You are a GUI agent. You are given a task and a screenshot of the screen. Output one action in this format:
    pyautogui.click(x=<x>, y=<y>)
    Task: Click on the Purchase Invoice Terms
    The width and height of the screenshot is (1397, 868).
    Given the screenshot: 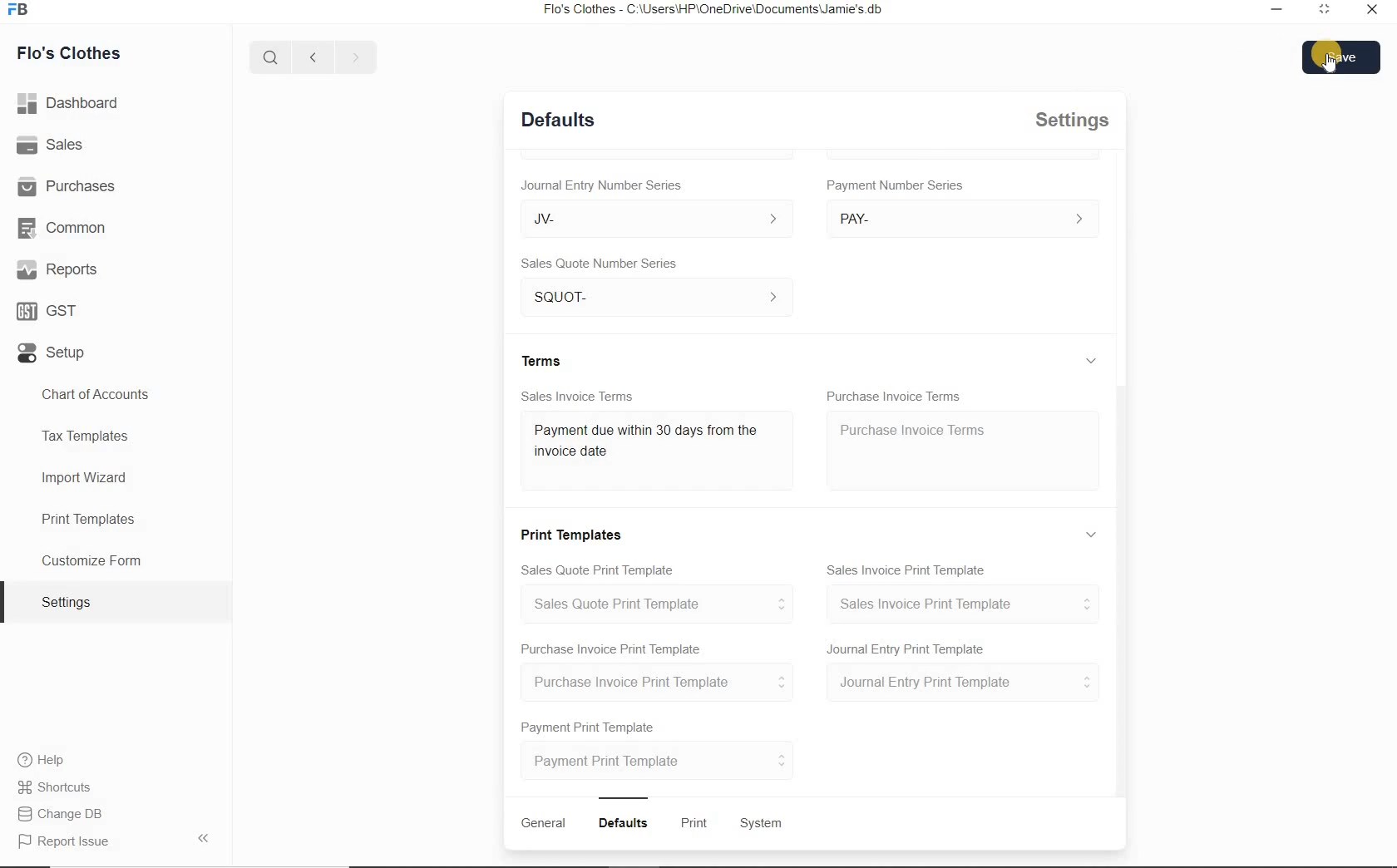 What is the action you would take?
    pyautogui.click(x=893, y=394)
    